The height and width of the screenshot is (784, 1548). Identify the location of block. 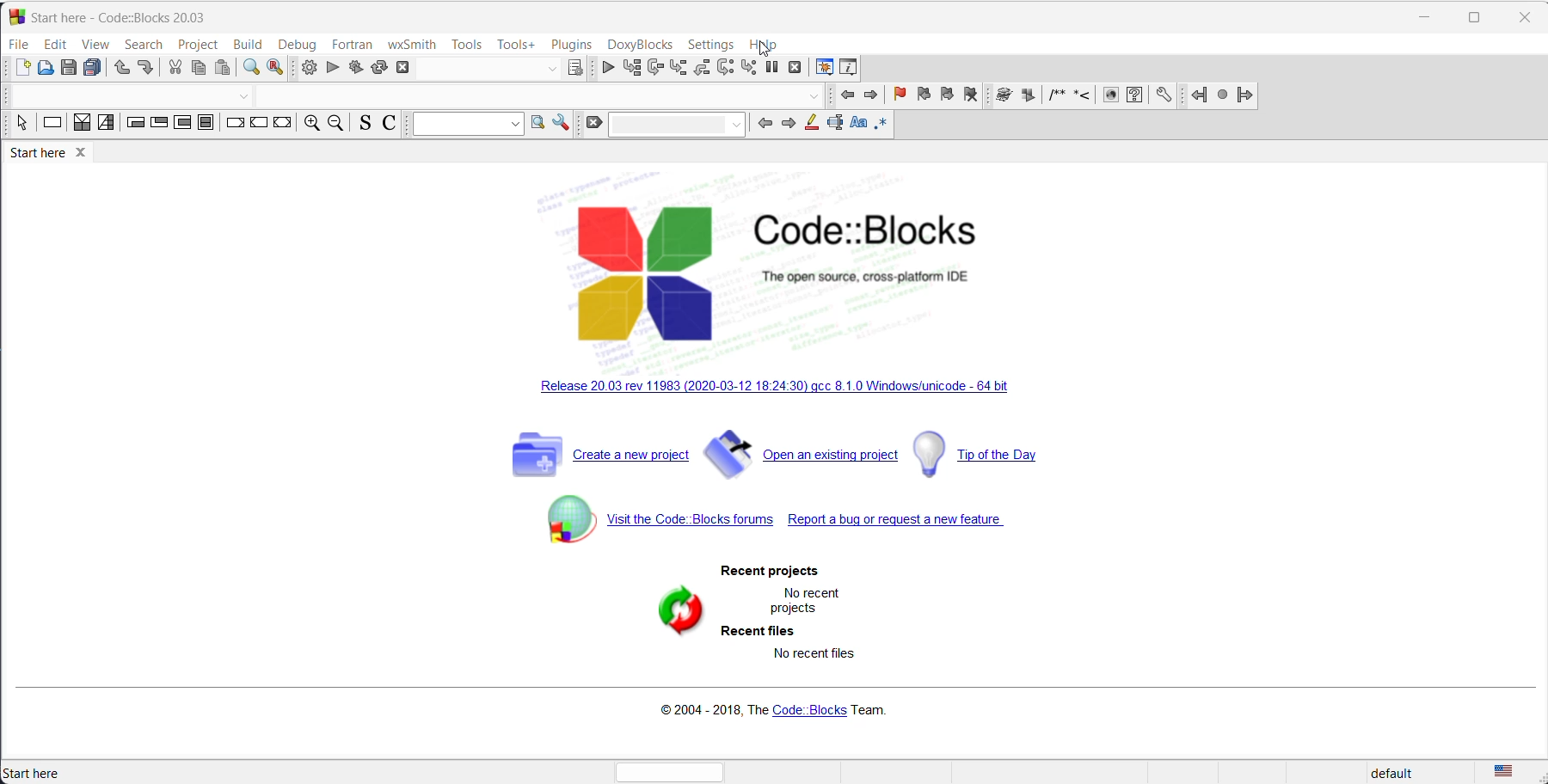
(1002, 96).